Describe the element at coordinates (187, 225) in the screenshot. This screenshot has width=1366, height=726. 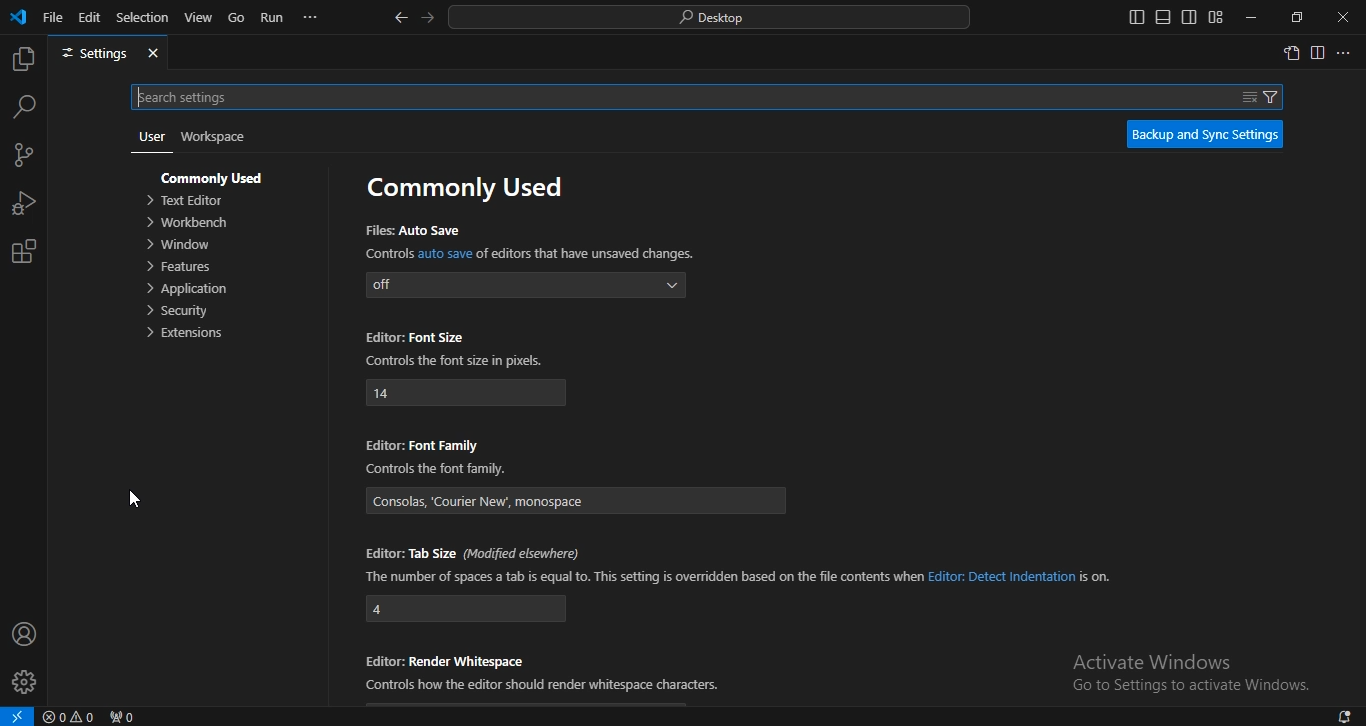
I see `workbench` at that location.